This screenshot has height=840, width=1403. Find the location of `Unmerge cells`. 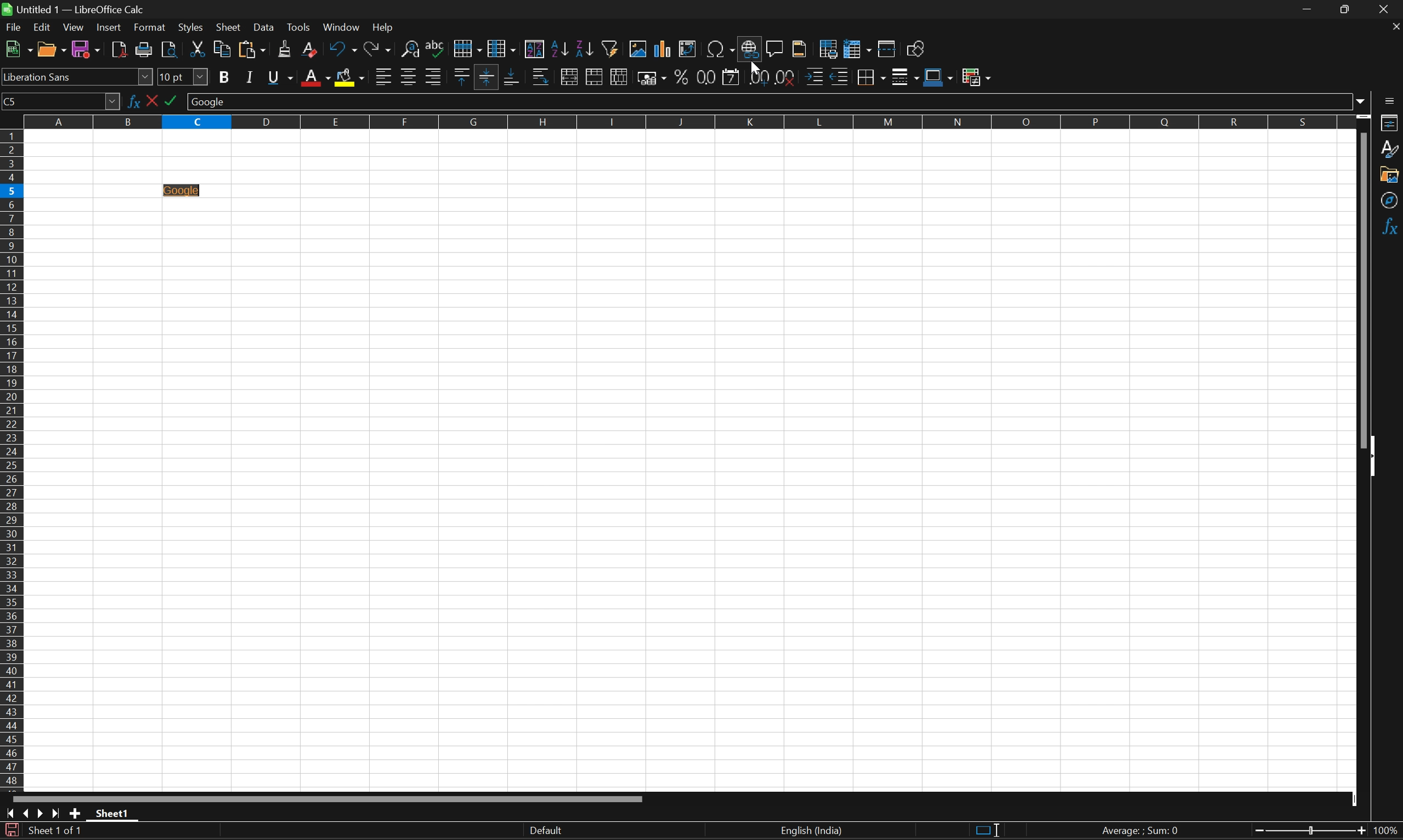

Unmerge cells is located at coordinates (619, 78).